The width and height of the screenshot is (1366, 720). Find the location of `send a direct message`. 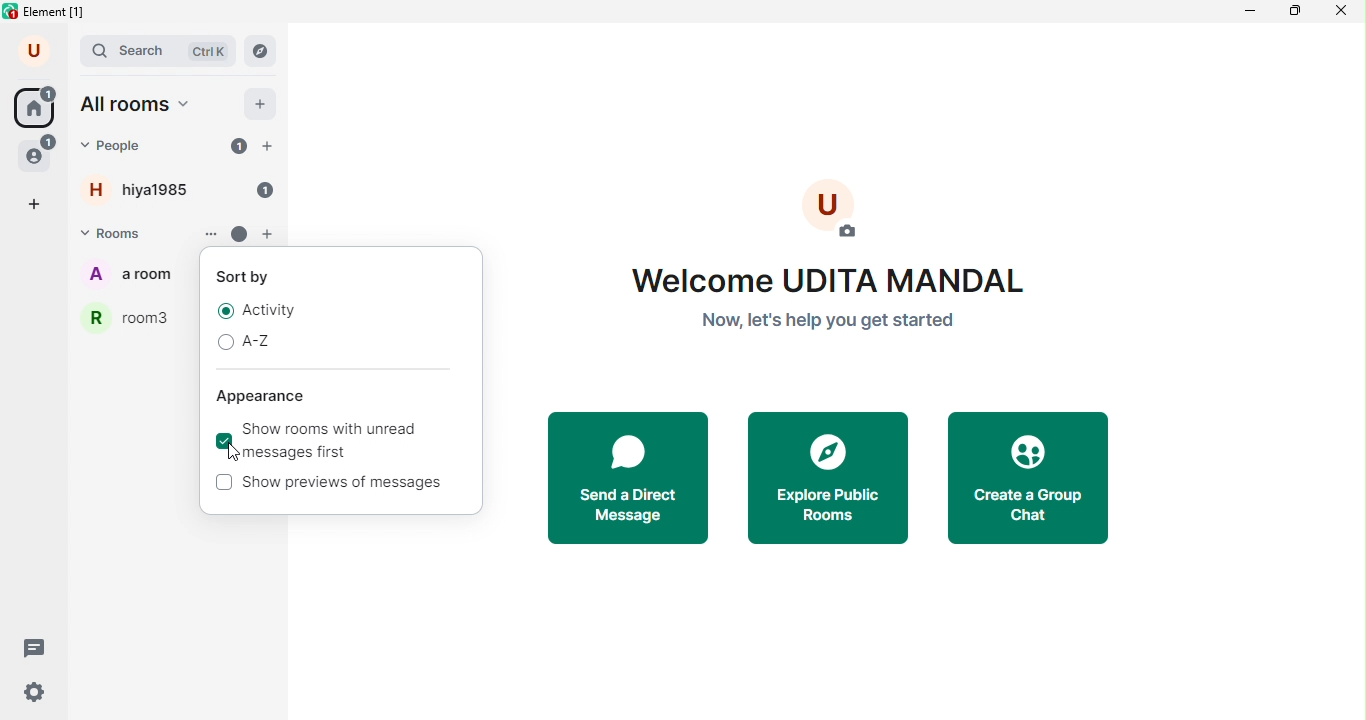

send a direct message is located at coordinates (631, 477).